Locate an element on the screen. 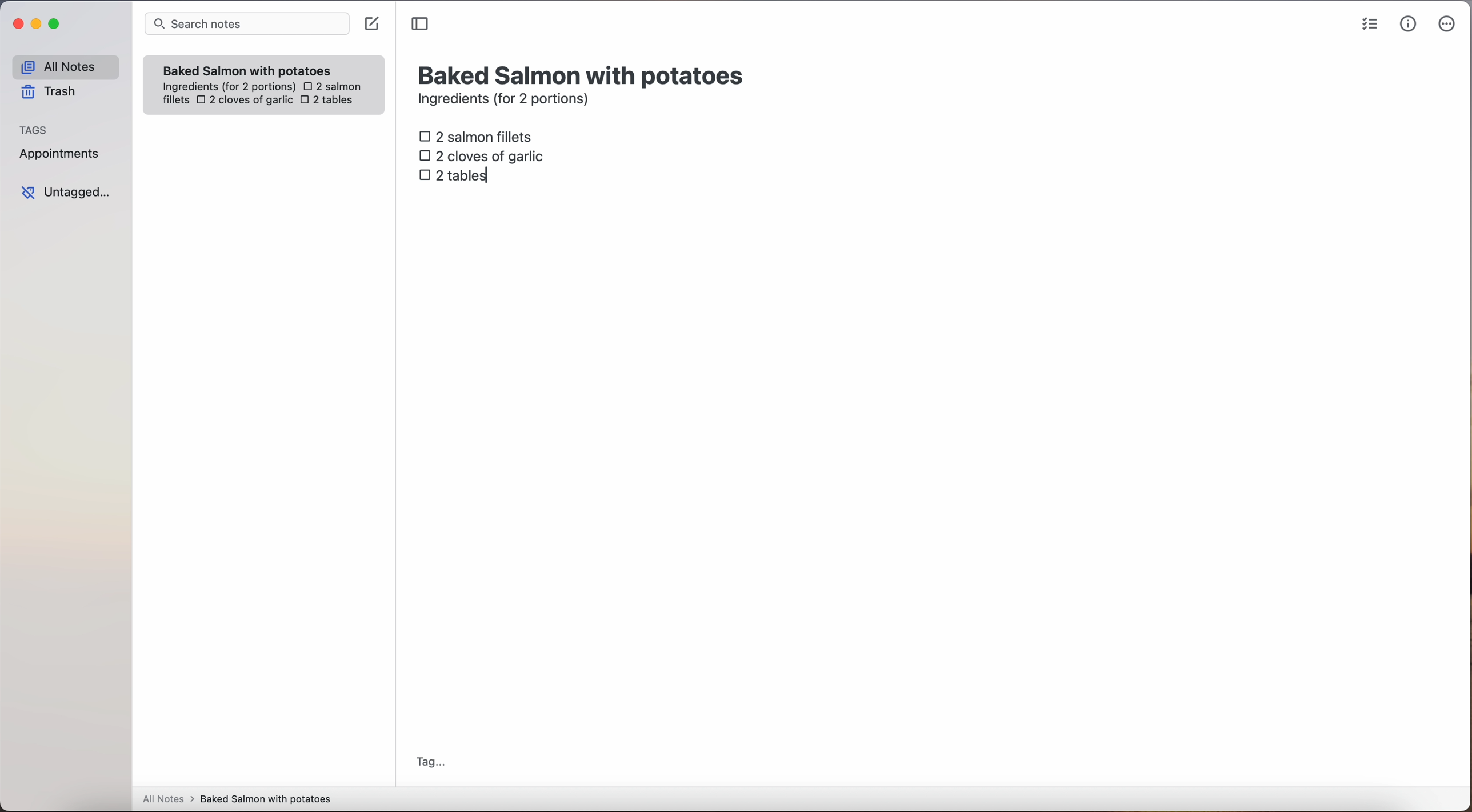  all notes > baked Salmon with potatoes is located at coordinates (237, 798).